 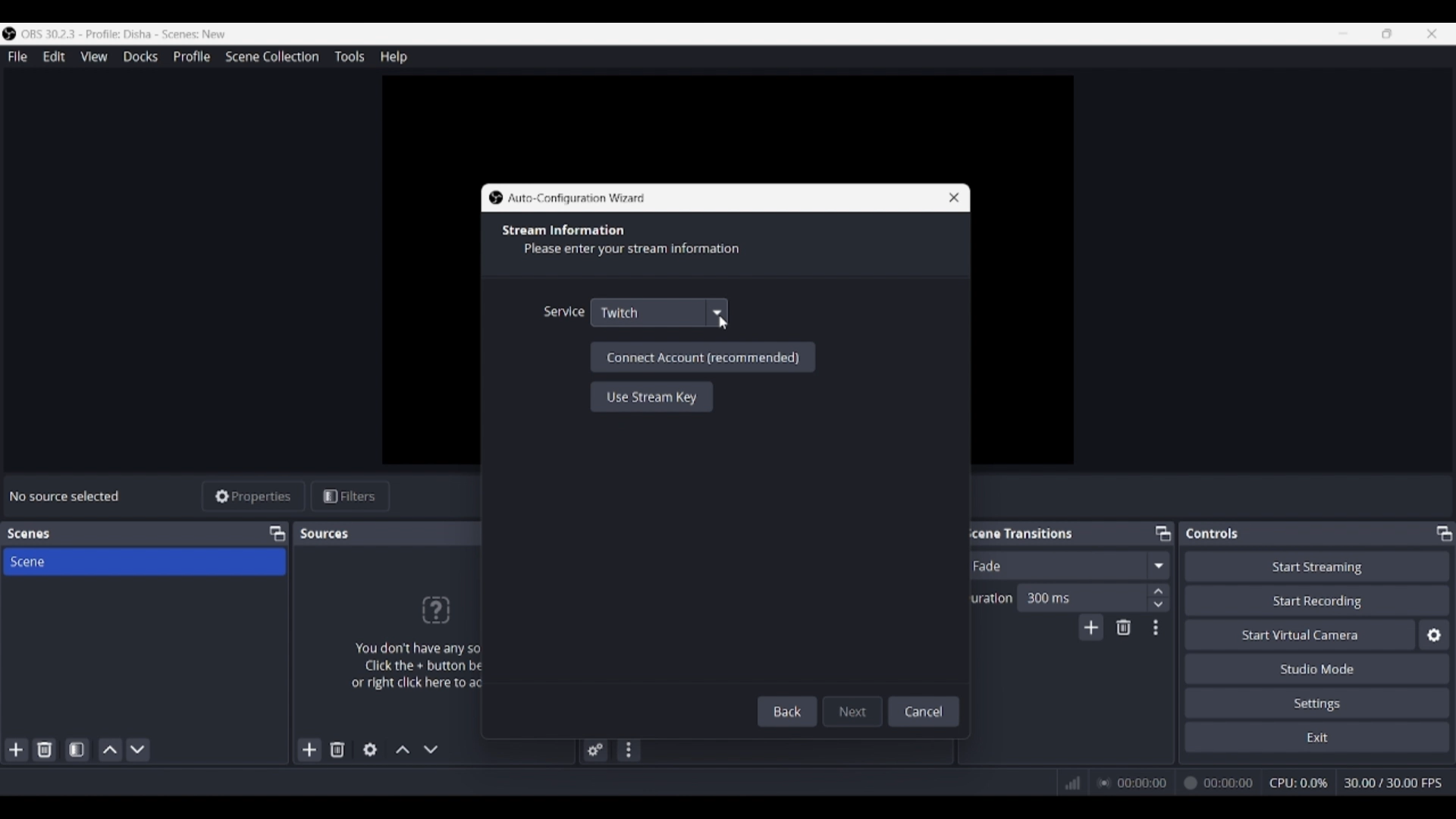 I want to click on Move source up, so click(x=403, y=749).